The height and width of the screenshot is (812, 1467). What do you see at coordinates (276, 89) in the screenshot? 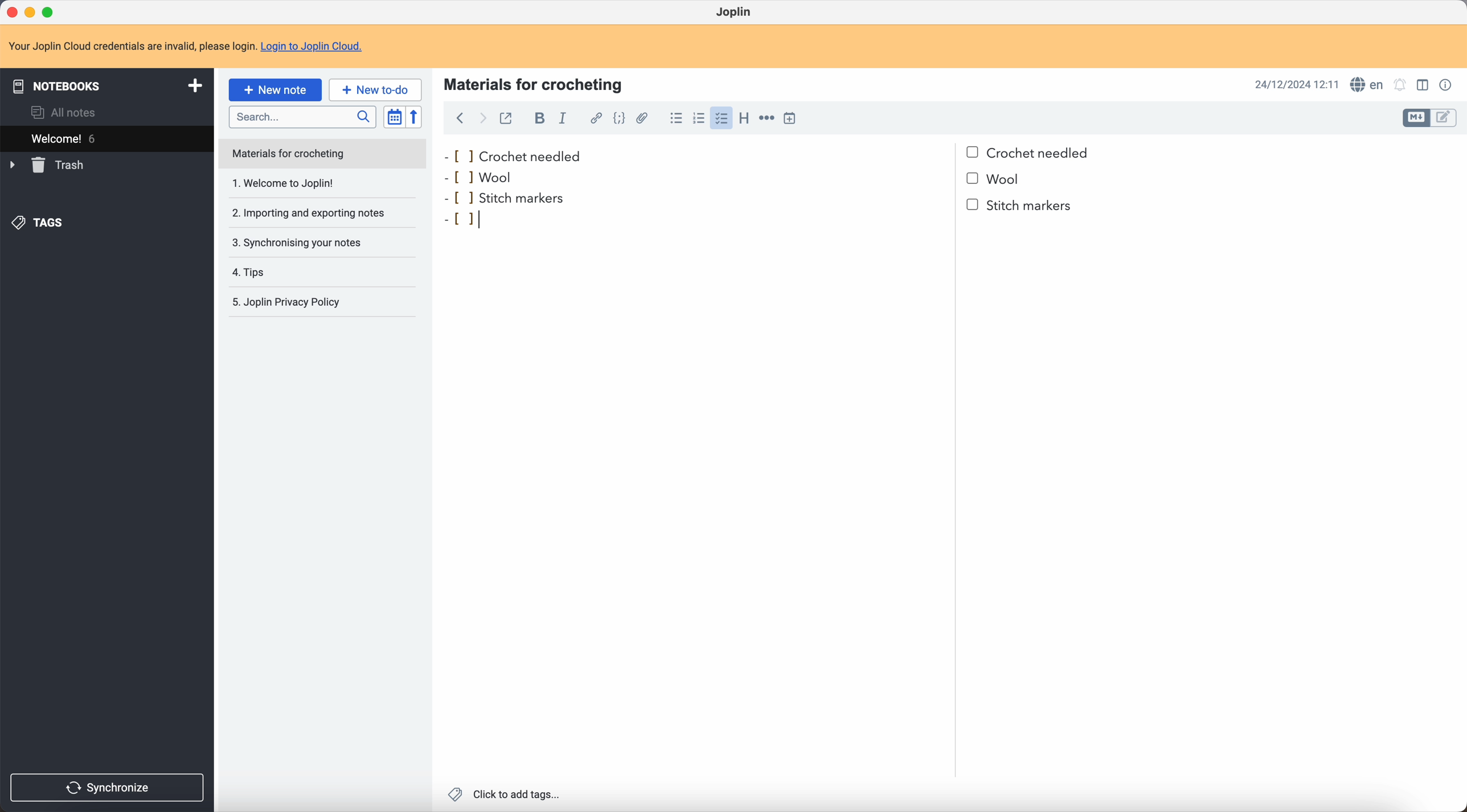
I see `click on new note` at bounding box center [276, 89].